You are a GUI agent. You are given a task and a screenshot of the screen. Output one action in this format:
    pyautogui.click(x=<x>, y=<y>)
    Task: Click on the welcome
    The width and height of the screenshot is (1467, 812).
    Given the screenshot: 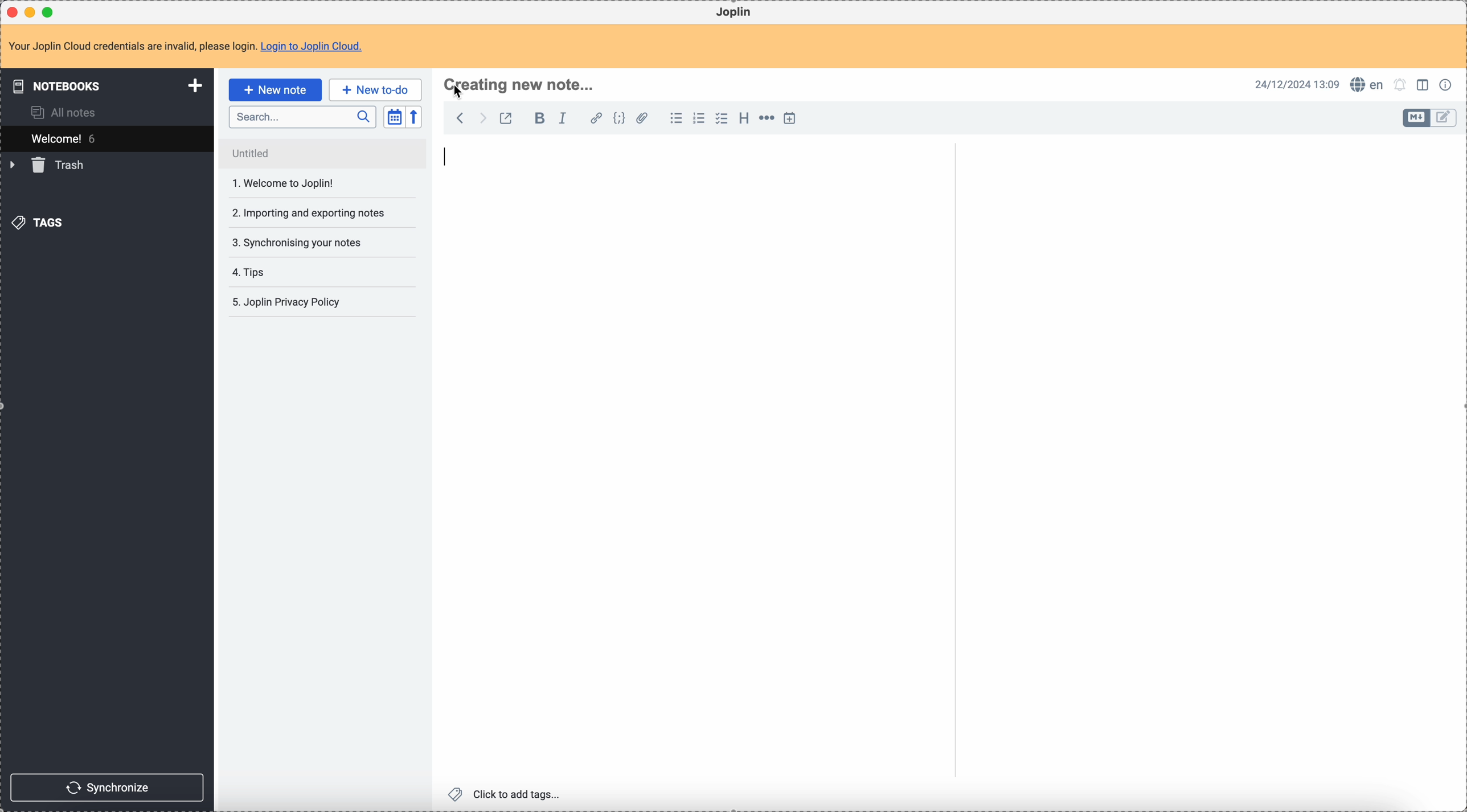 What is the action you would take?
    pyautogui.click(x=106, y=138)
    